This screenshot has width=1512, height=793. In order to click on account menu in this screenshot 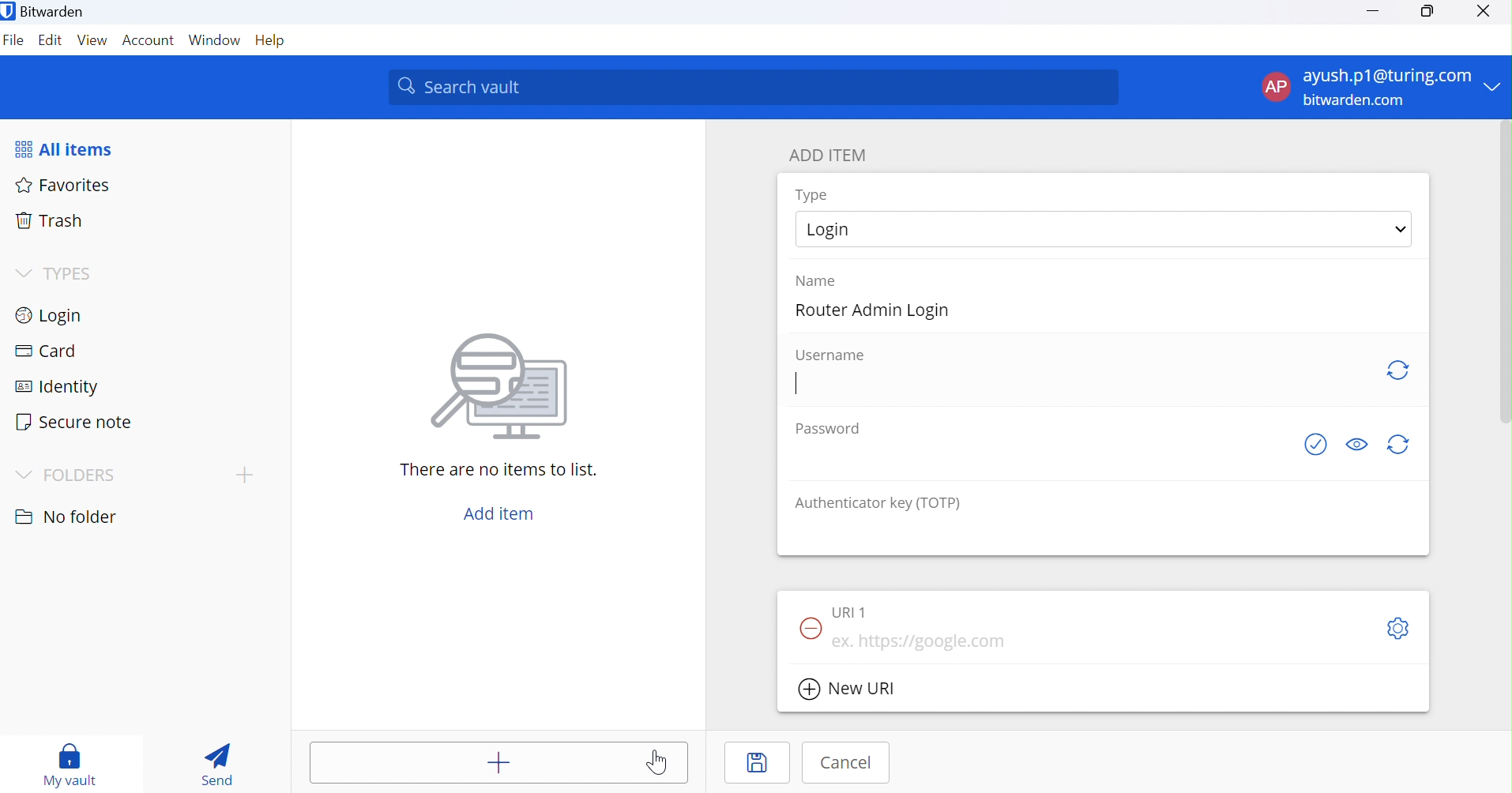, I will do `click(1380, 88)`.